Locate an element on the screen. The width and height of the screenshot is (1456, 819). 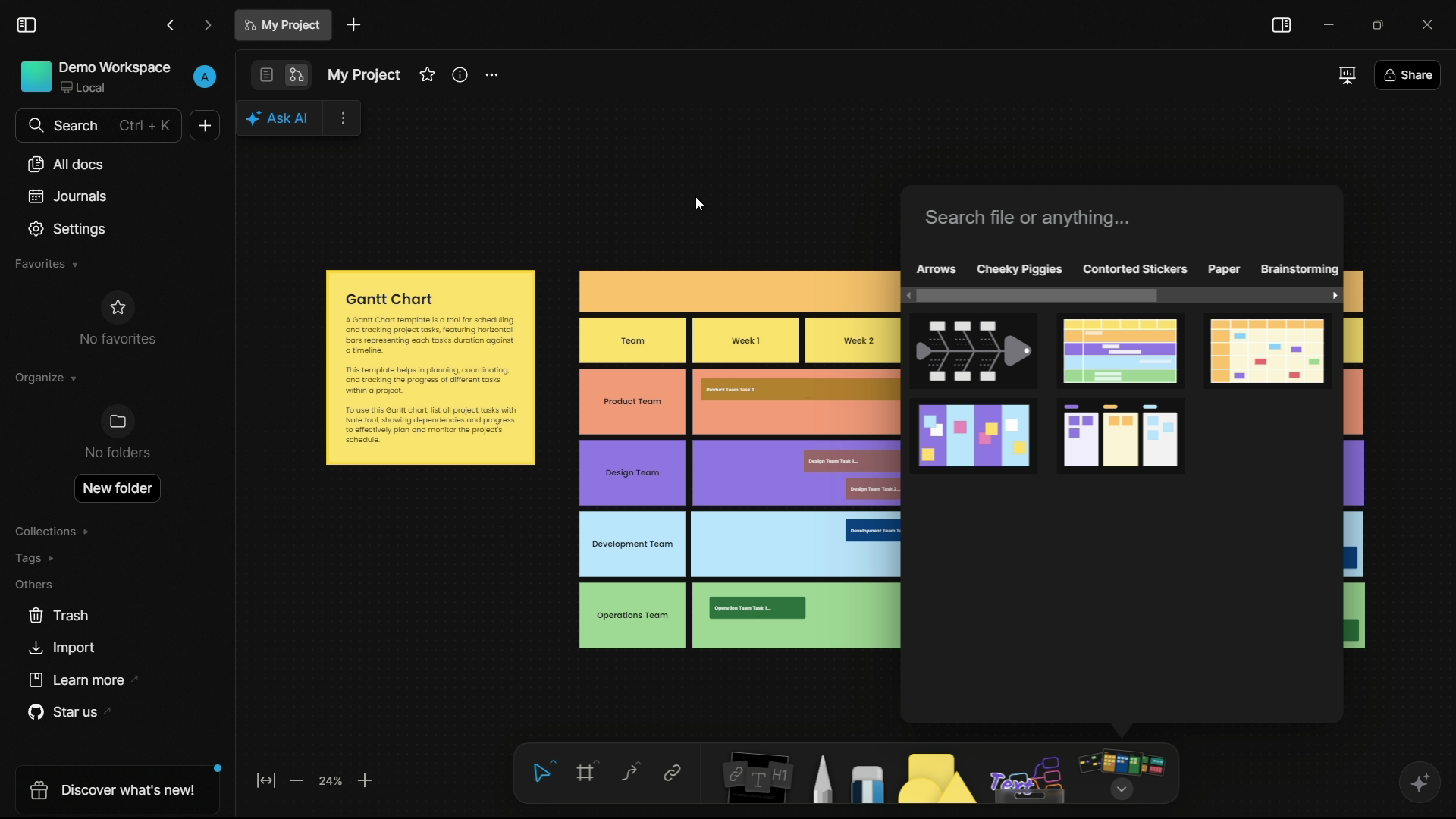
Brainstorming is located at coordinates (1300, 268).